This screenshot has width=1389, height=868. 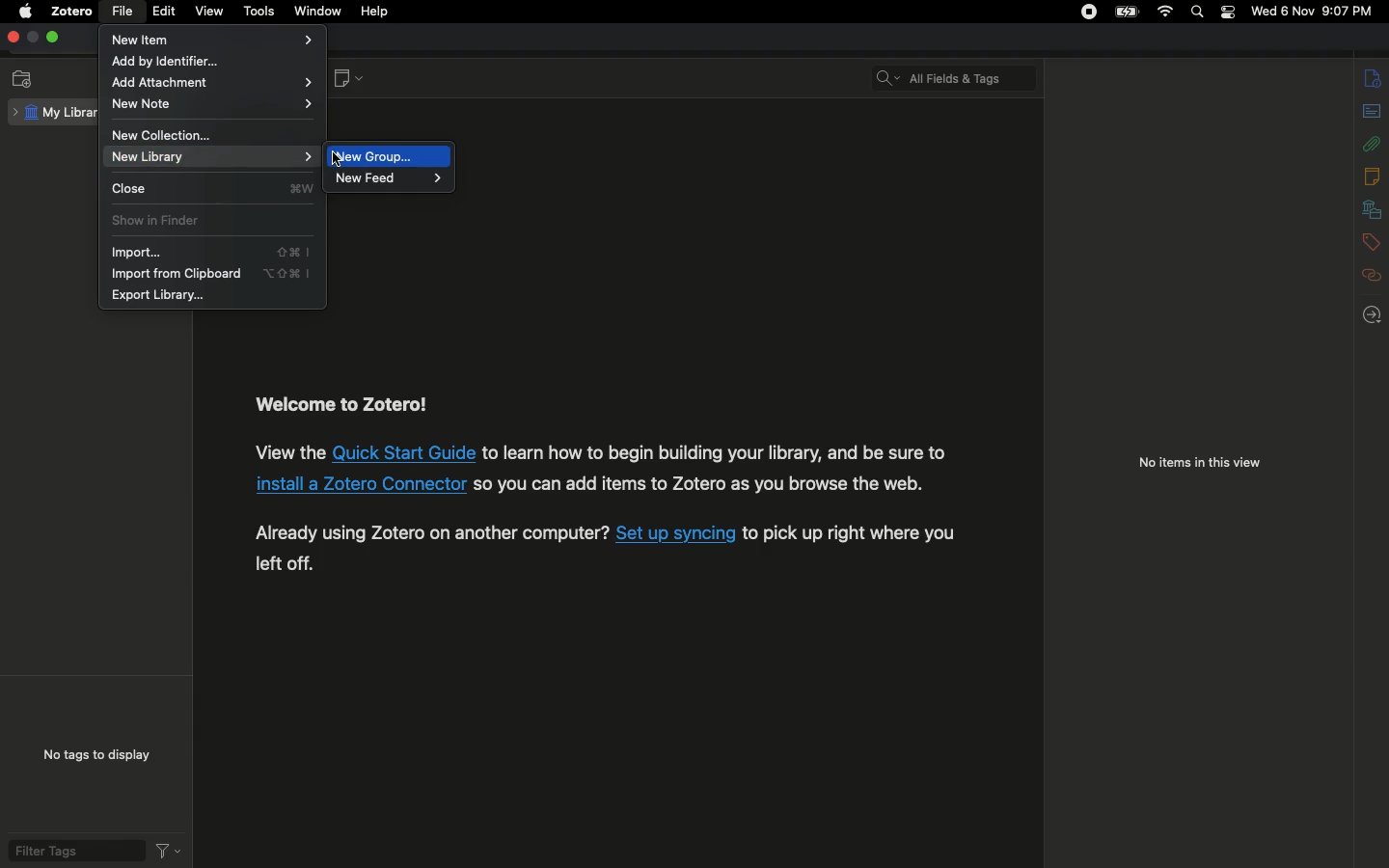 I want to click on Recording, so click(x=1088, y=14).